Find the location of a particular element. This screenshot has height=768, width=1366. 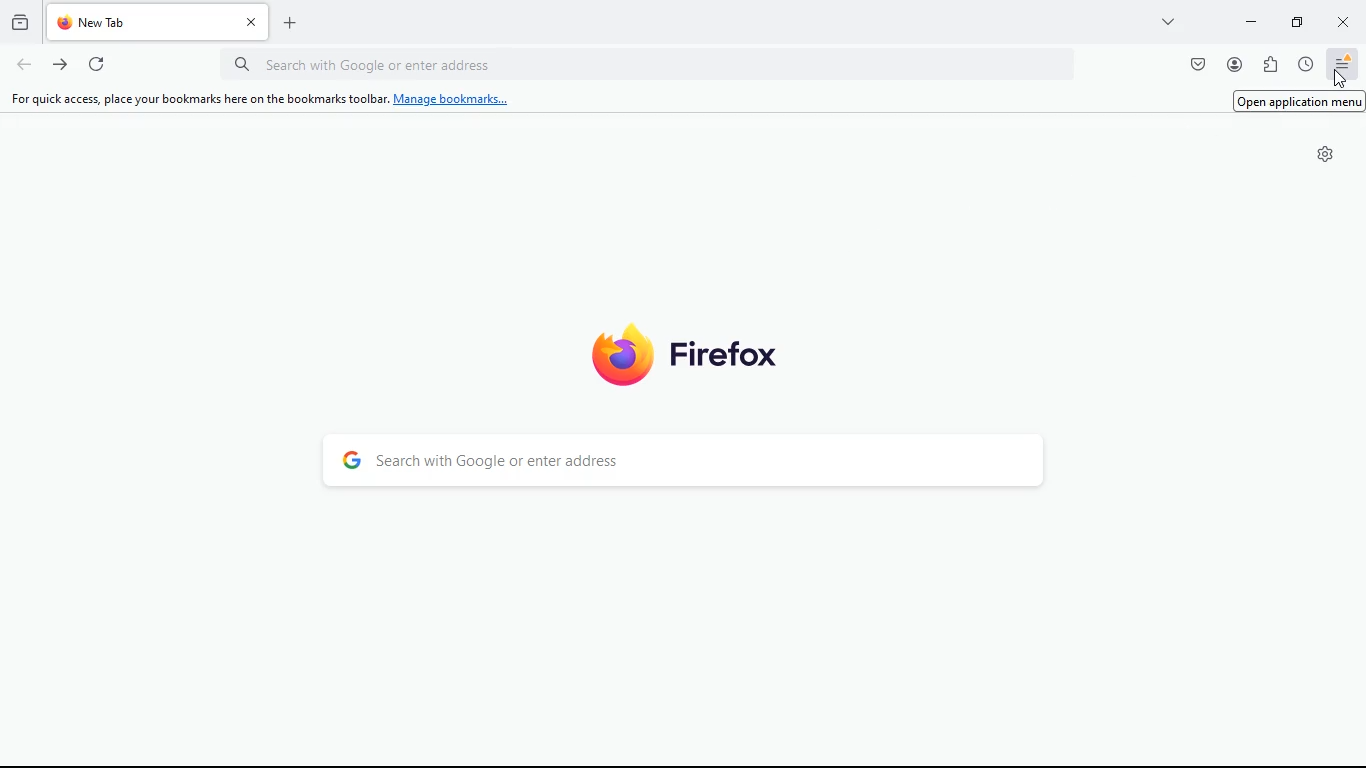

history is located at coordinates (1305, 65).